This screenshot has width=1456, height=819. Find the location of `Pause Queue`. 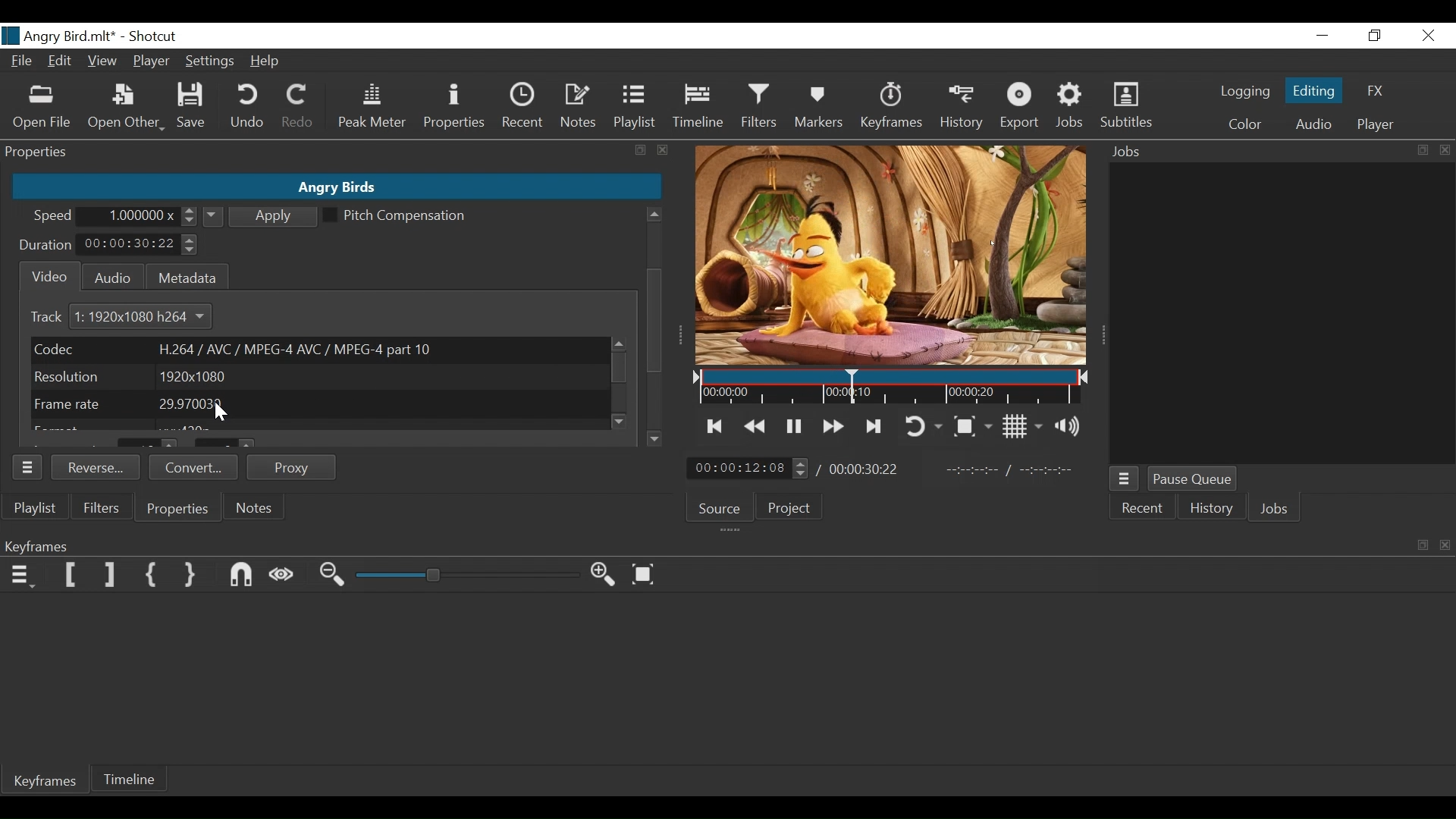

Pause Queue is located at coordinates (1193, 479).